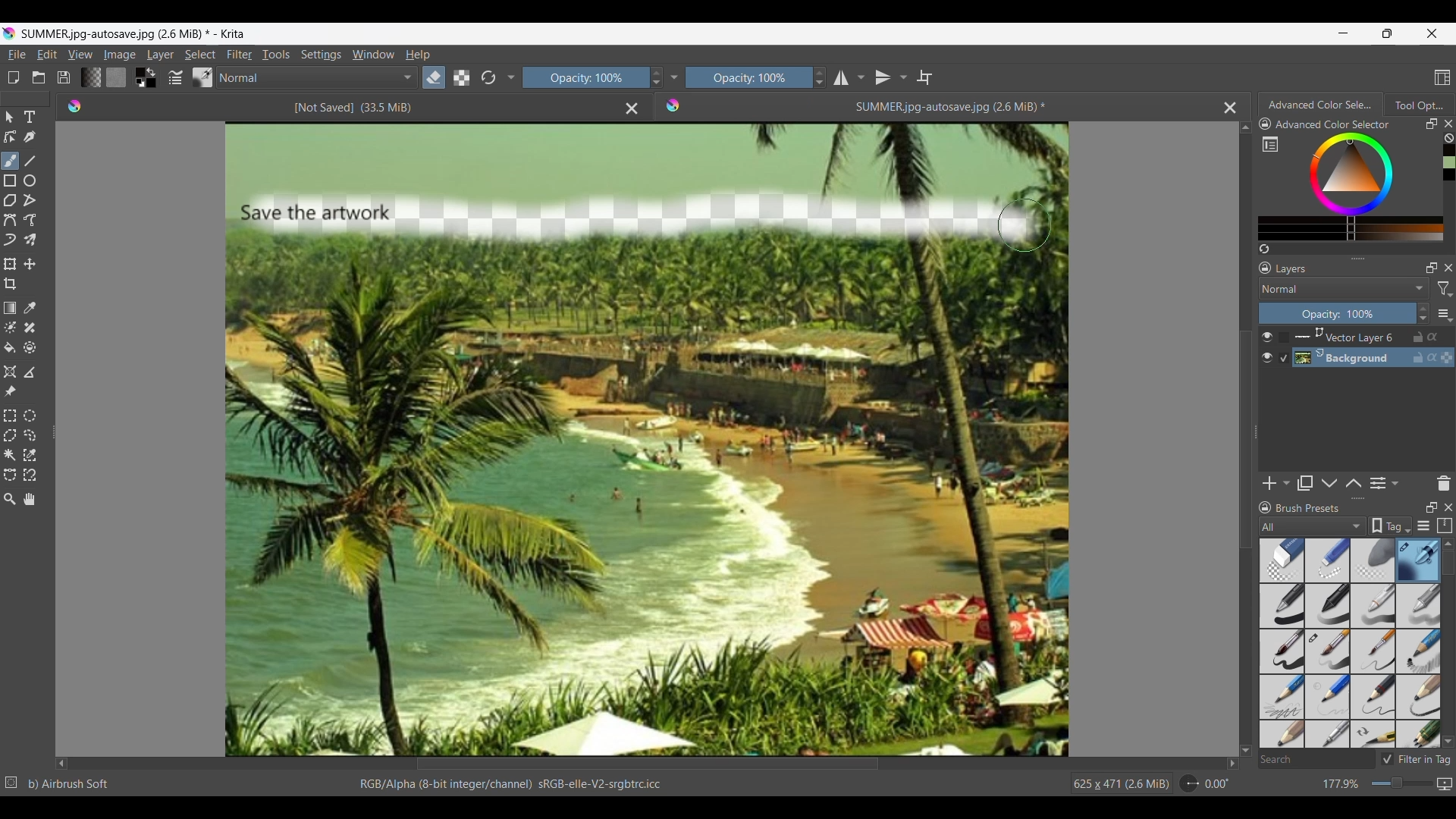  Describe the element at coordinates (10, 456) in the screenshot. I see `Contiguous selection tool` at that location.